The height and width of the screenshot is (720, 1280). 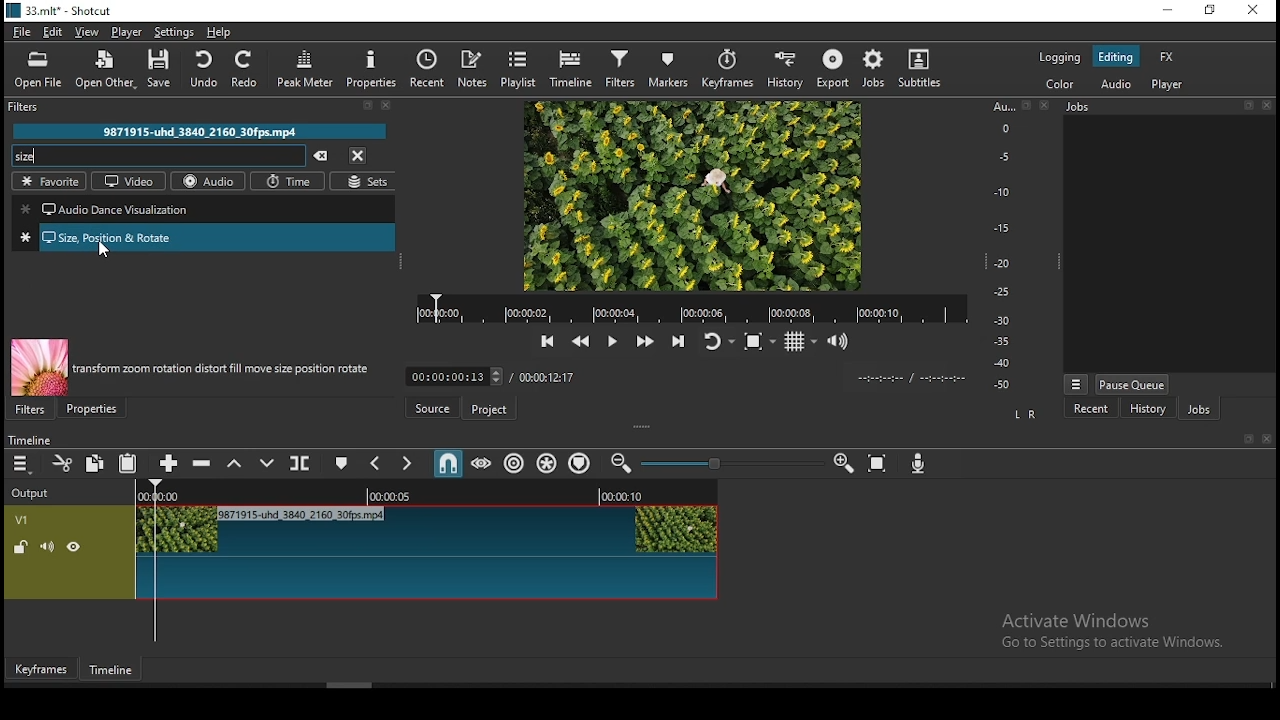 What do you see at coordinates (493, 409) in the screenshot?
I see `project` at bounding box center [493, 409].